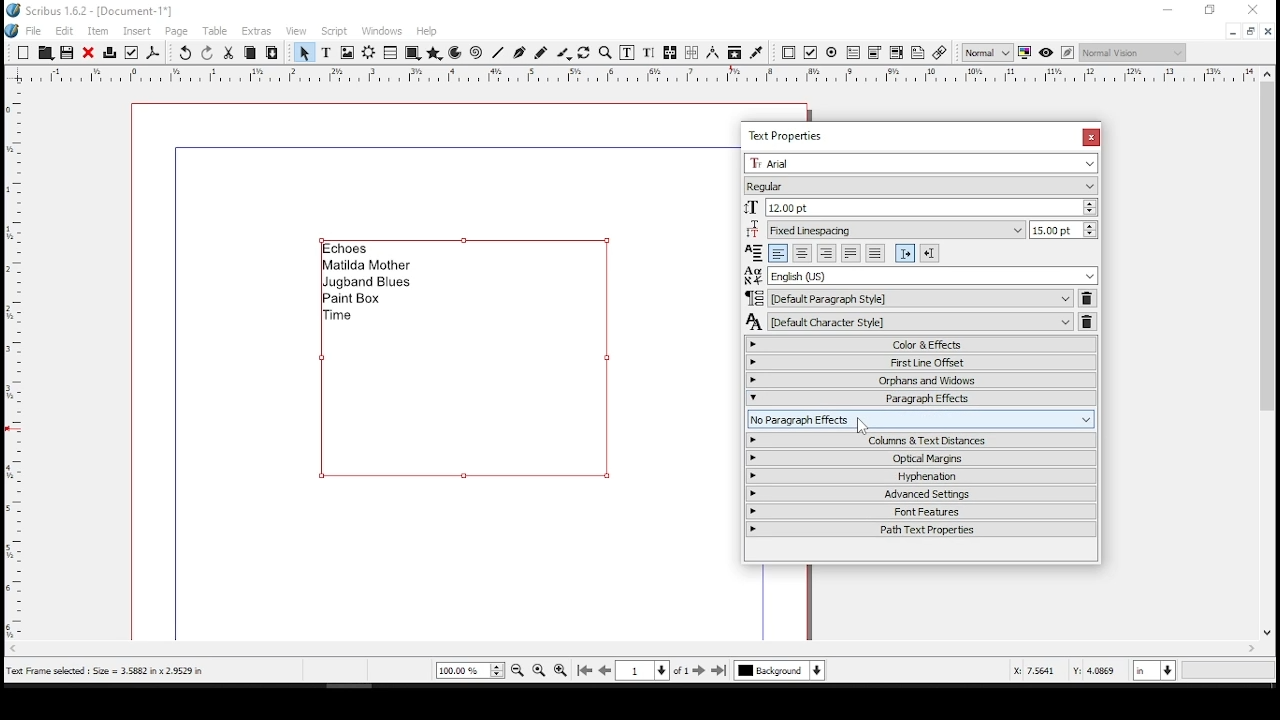 This screenshot has height=720, width=1280. I want to click on PDF push button, so click(789, 52).